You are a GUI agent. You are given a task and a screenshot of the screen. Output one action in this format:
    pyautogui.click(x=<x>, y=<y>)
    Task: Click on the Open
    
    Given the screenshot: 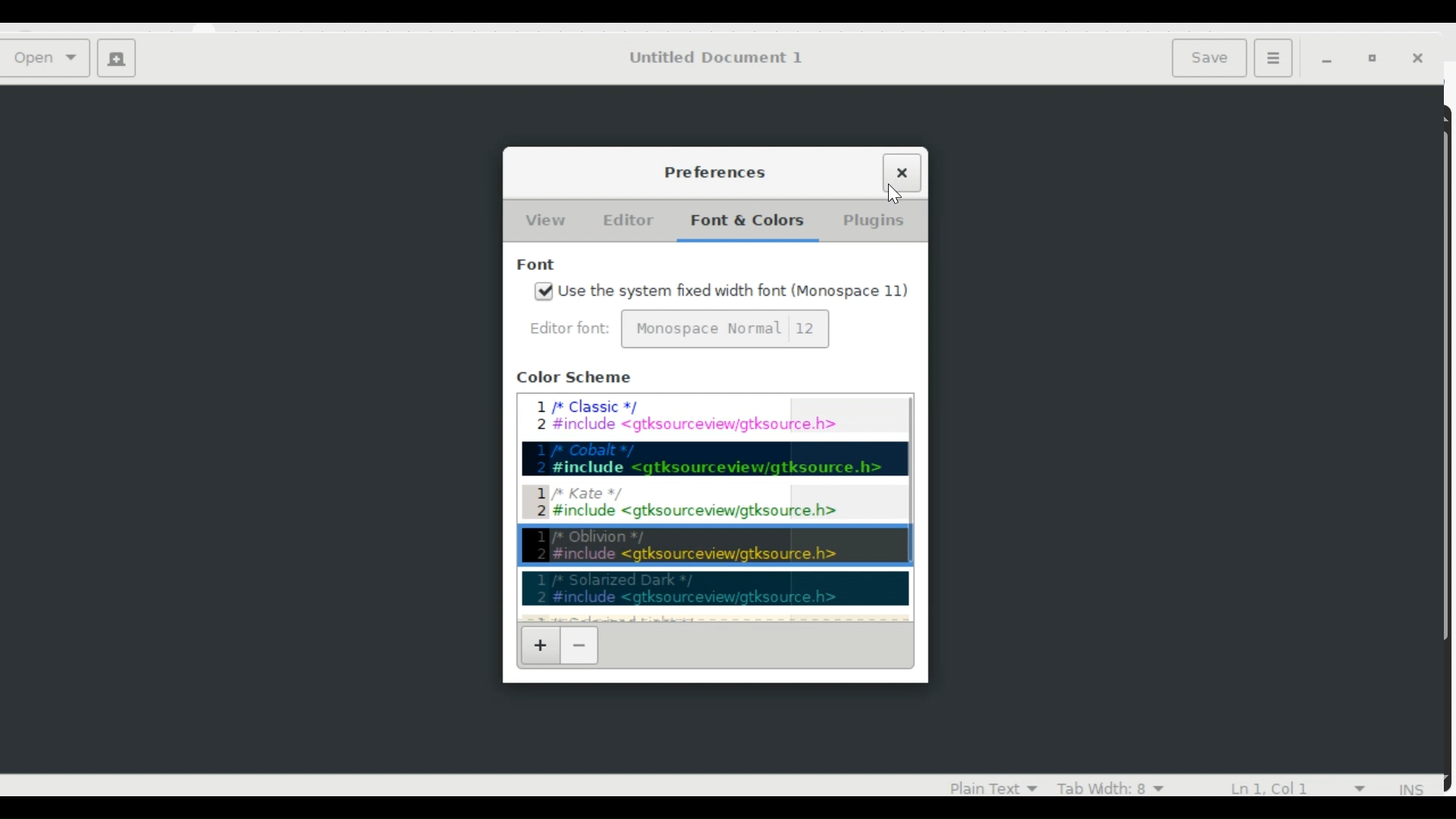 What is the action you would take?
    pyautogui.click(x=49, y=59)
    